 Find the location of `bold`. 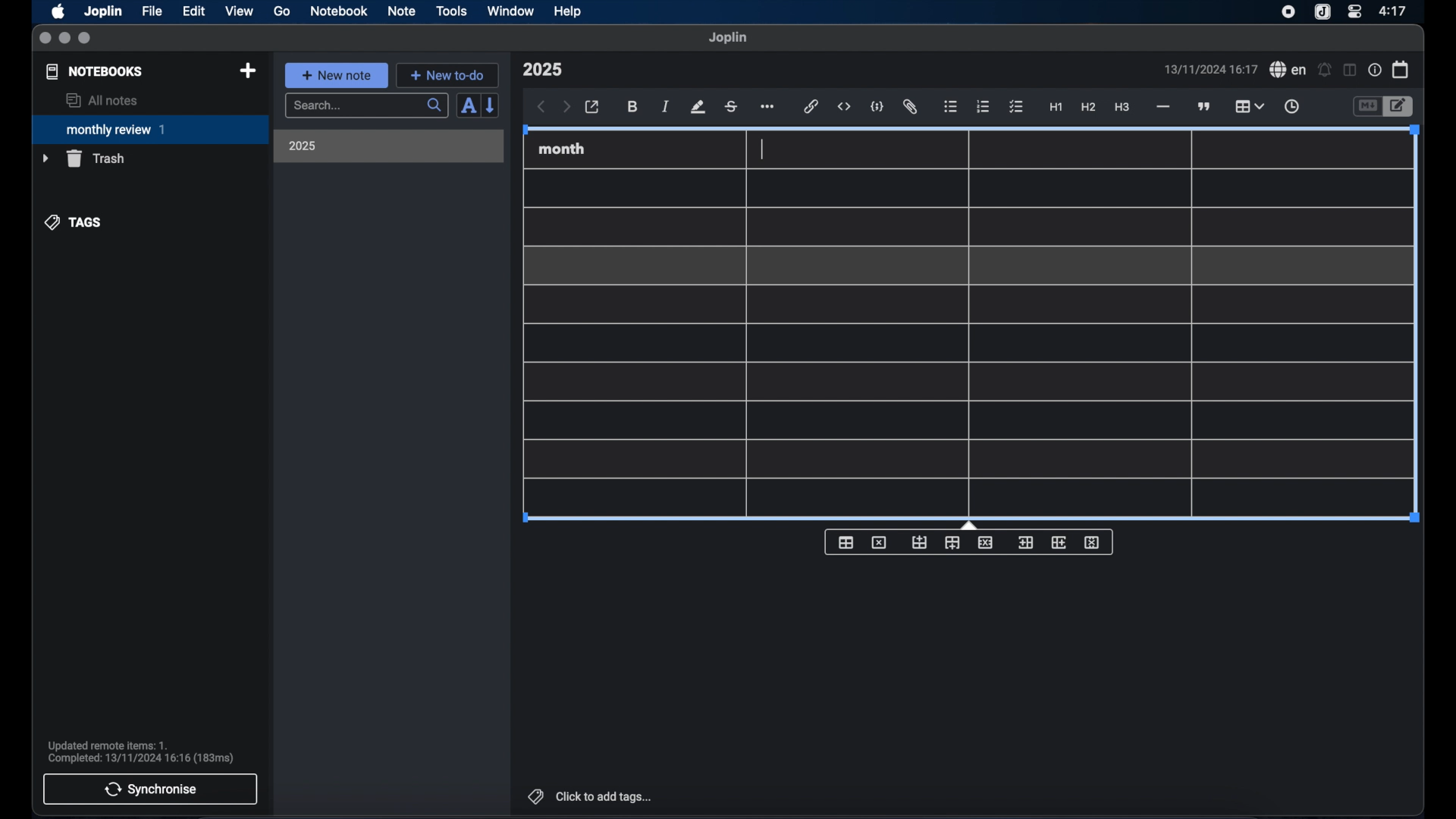

bold is located at coordinates (634, 107).